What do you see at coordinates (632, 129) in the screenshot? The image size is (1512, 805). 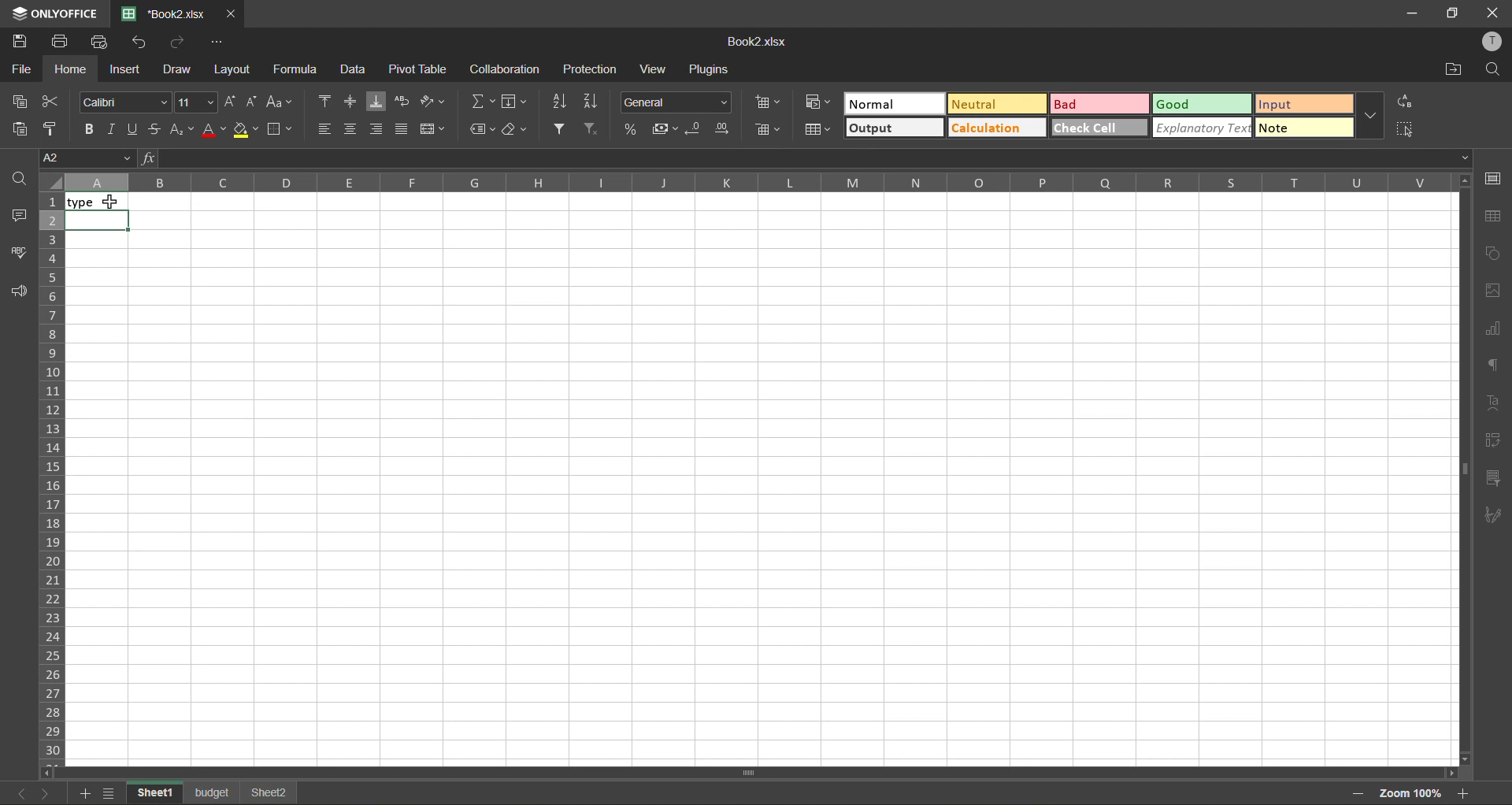 I see `percent` at bounding box center [632, 129].